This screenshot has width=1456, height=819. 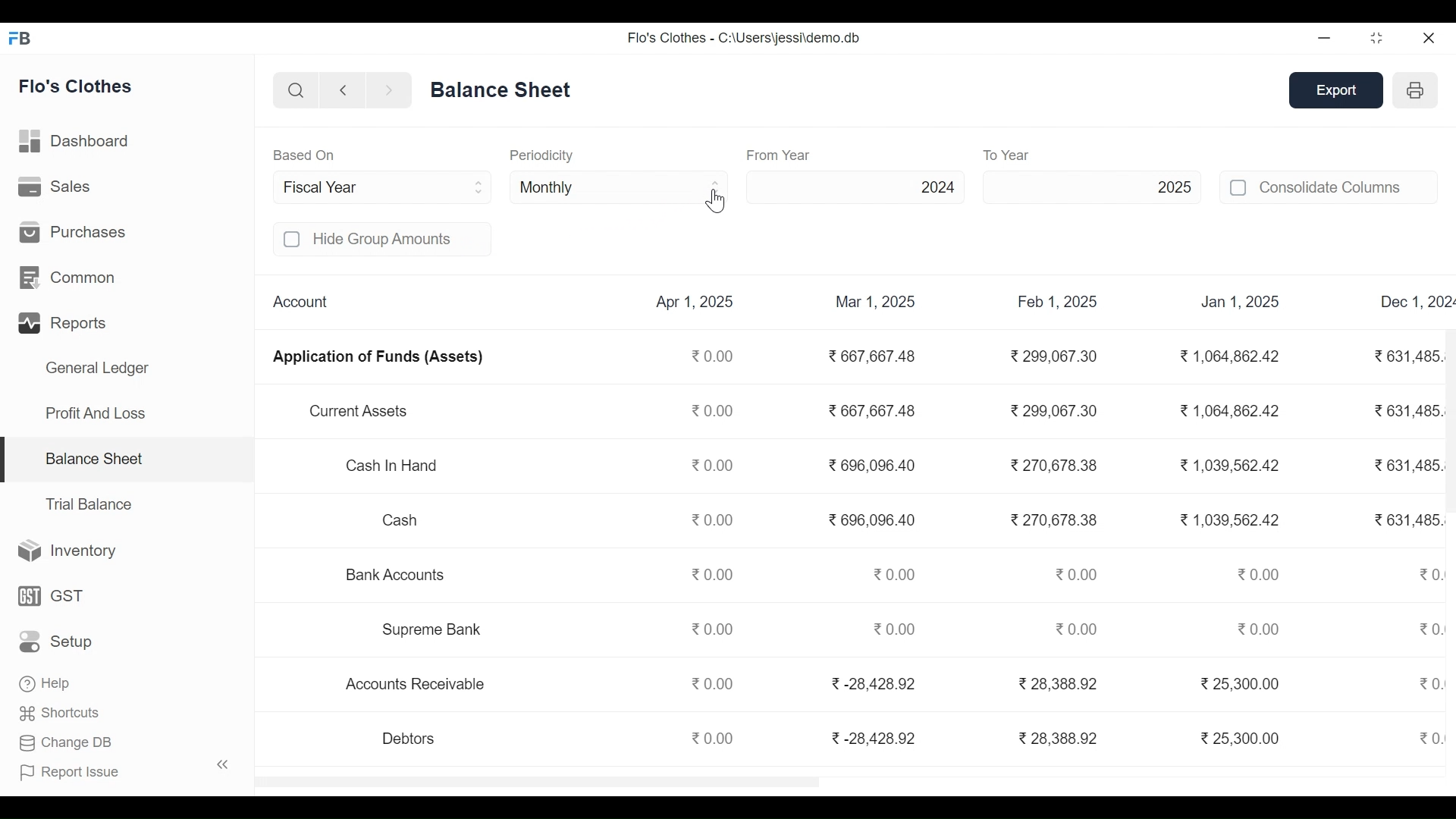 I want to click on Purchases , so click(x=73, y=231).